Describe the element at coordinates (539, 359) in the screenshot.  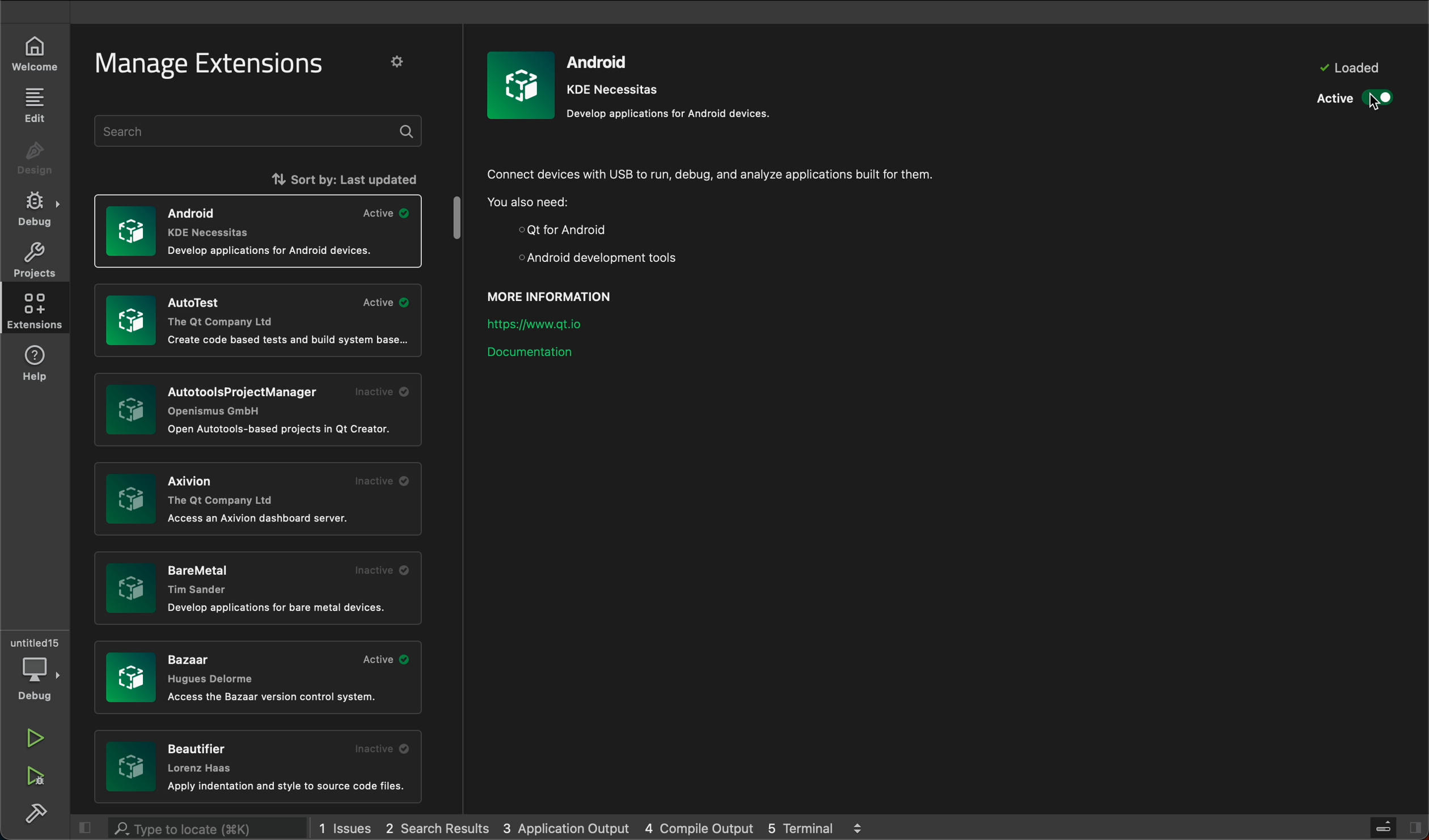
I see `Documentation ` at that location.